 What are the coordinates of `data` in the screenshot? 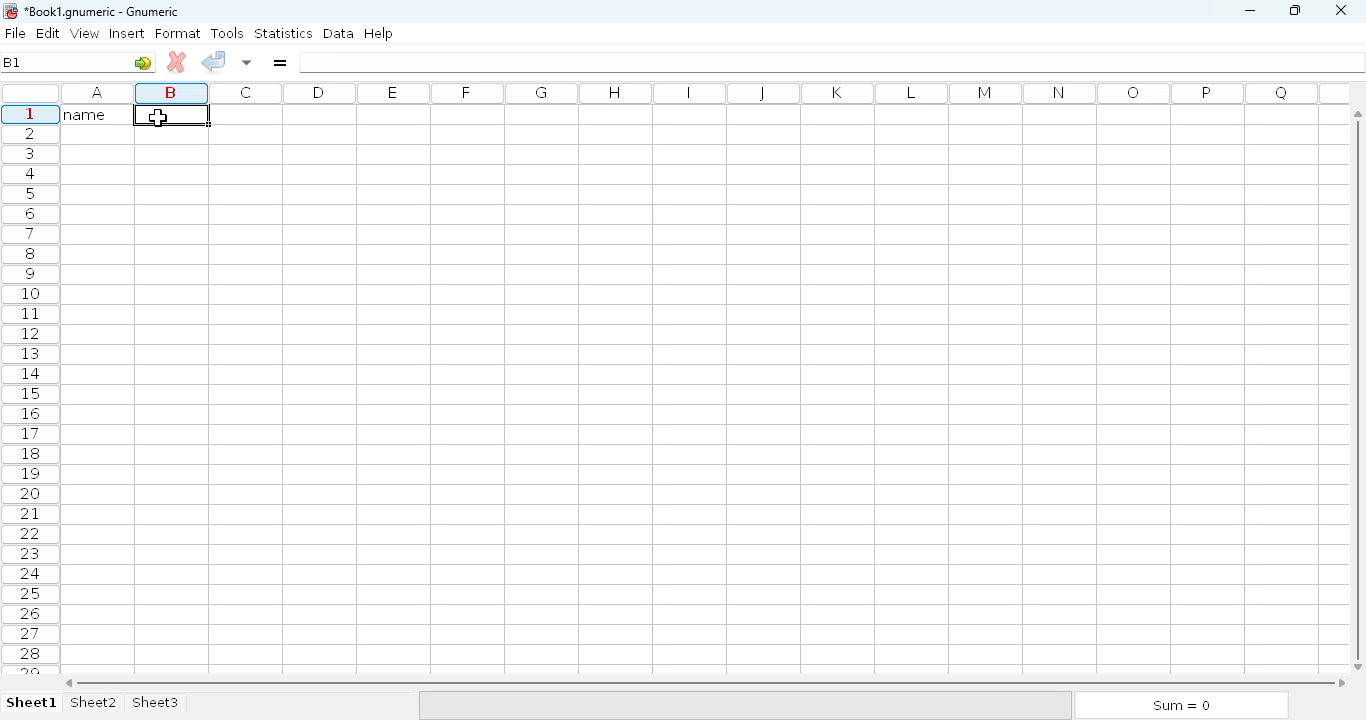 It's located at (339, 33).